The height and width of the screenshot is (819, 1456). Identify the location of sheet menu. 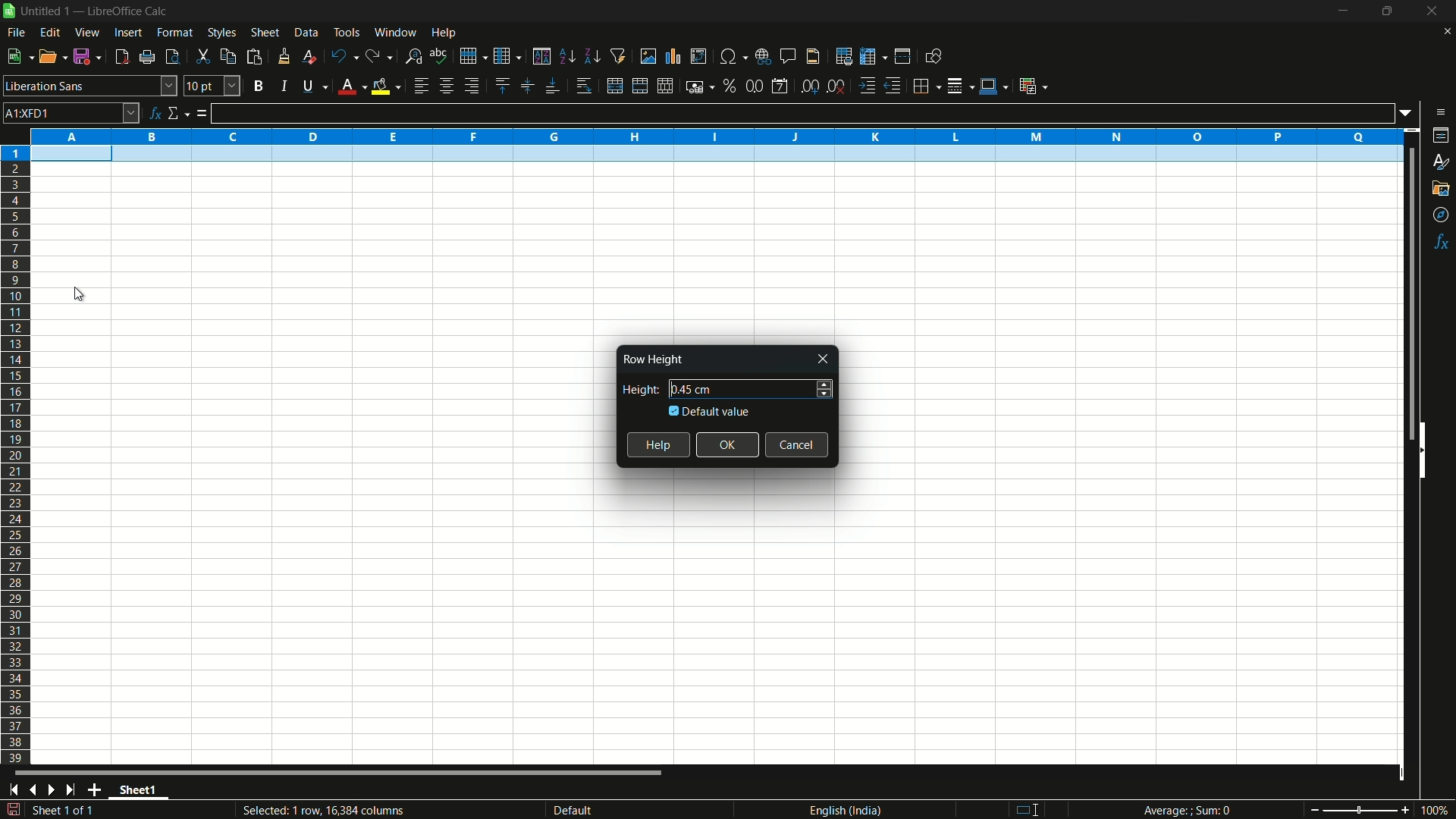
(265, 33).